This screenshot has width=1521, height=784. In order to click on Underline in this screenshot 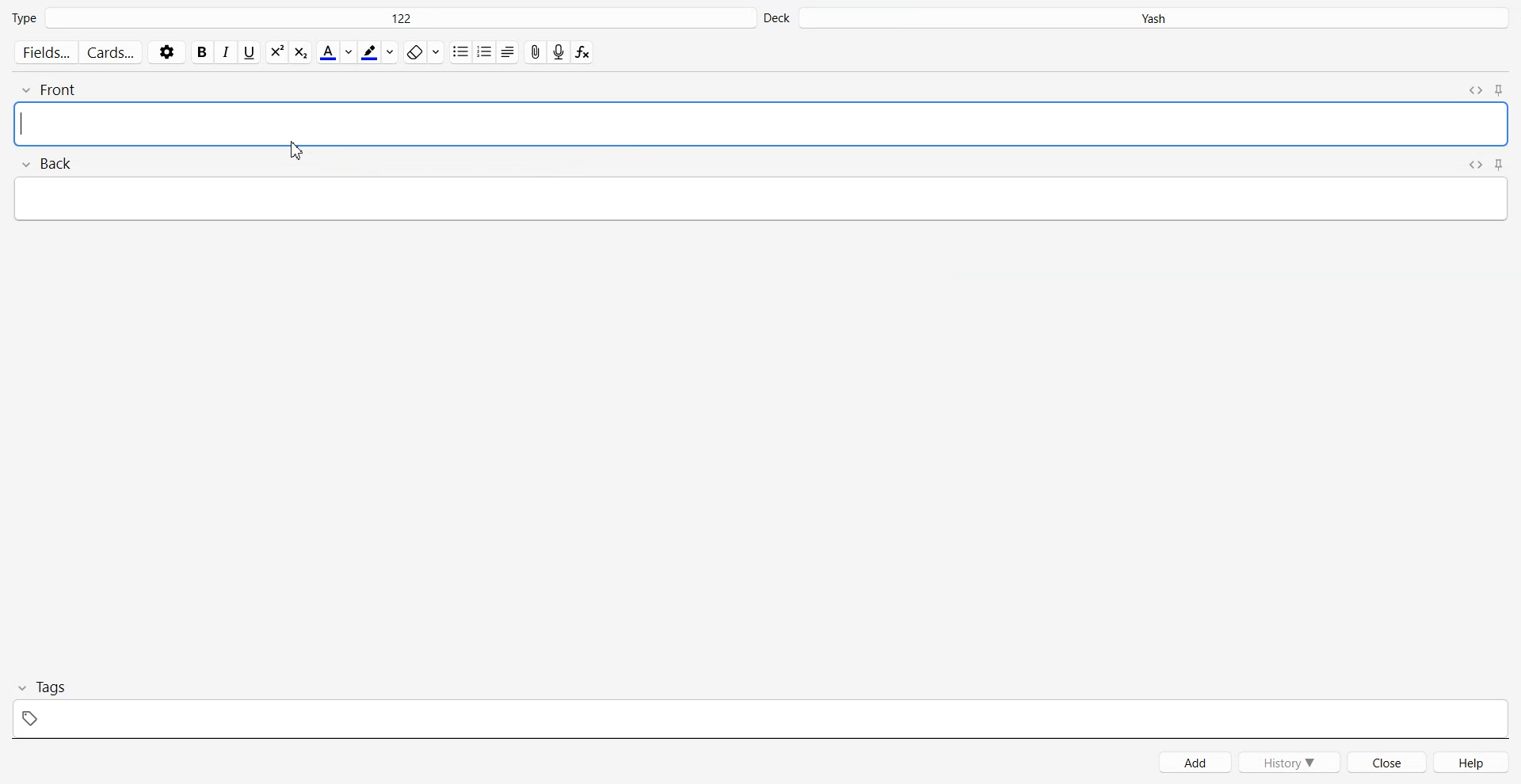, I will do `click(250, 52)`.